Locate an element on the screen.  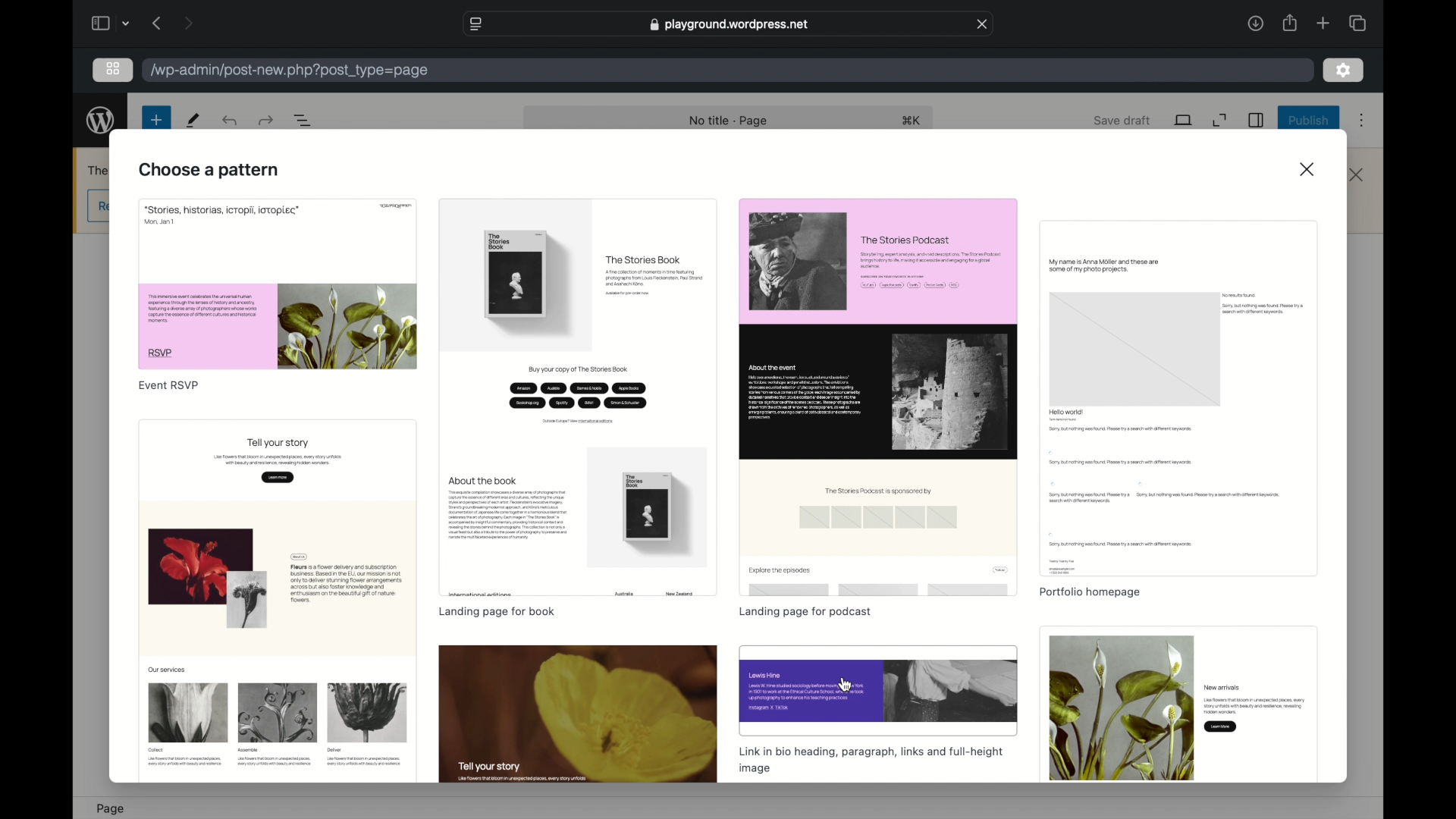
landing page for podcast is located at coordinates (805, 613).